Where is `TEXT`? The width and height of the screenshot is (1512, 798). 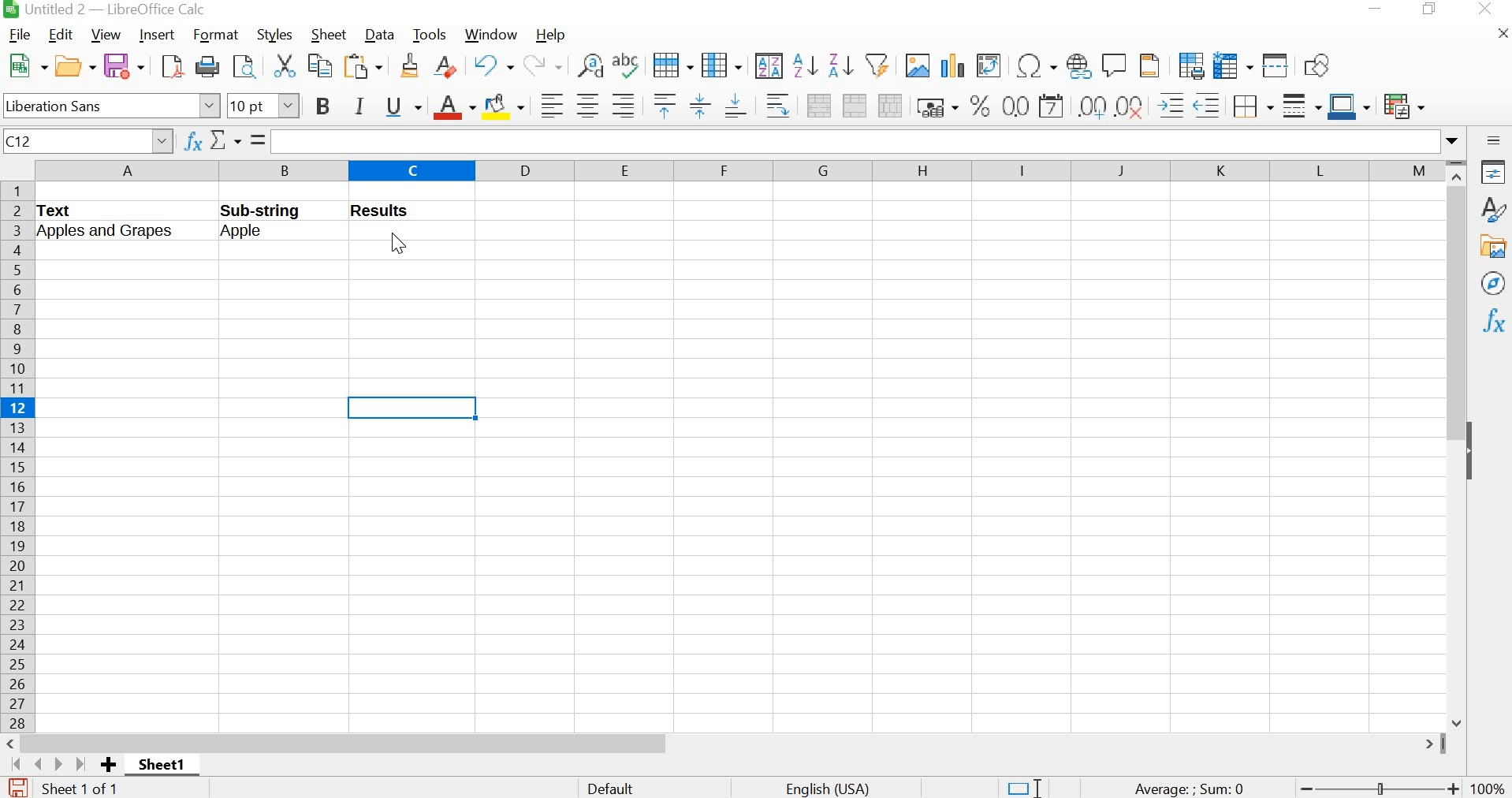
TEXT is located at coordinates (61, 211).